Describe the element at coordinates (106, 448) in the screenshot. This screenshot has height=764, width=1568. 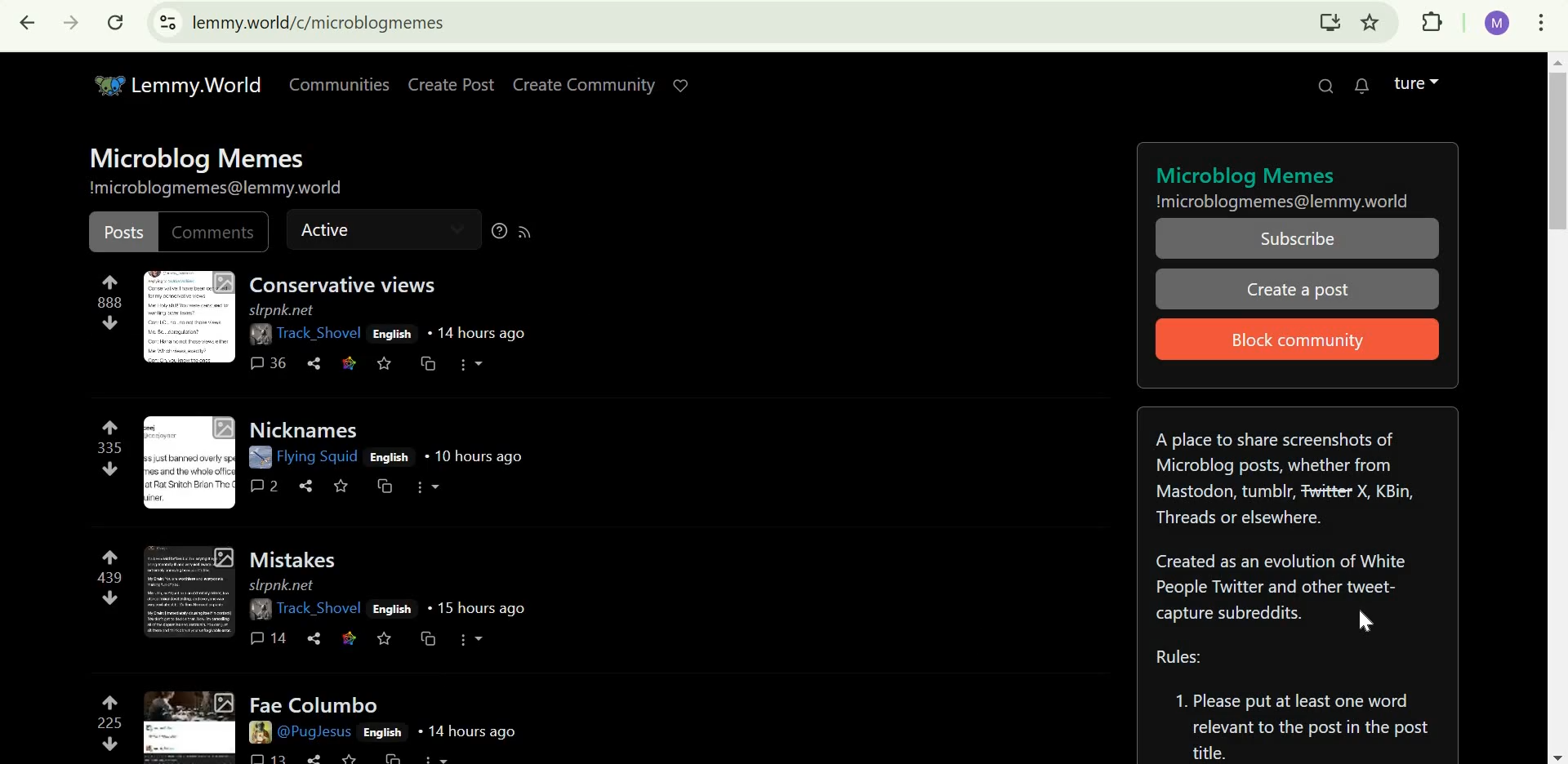
I see `335 points` at that location.